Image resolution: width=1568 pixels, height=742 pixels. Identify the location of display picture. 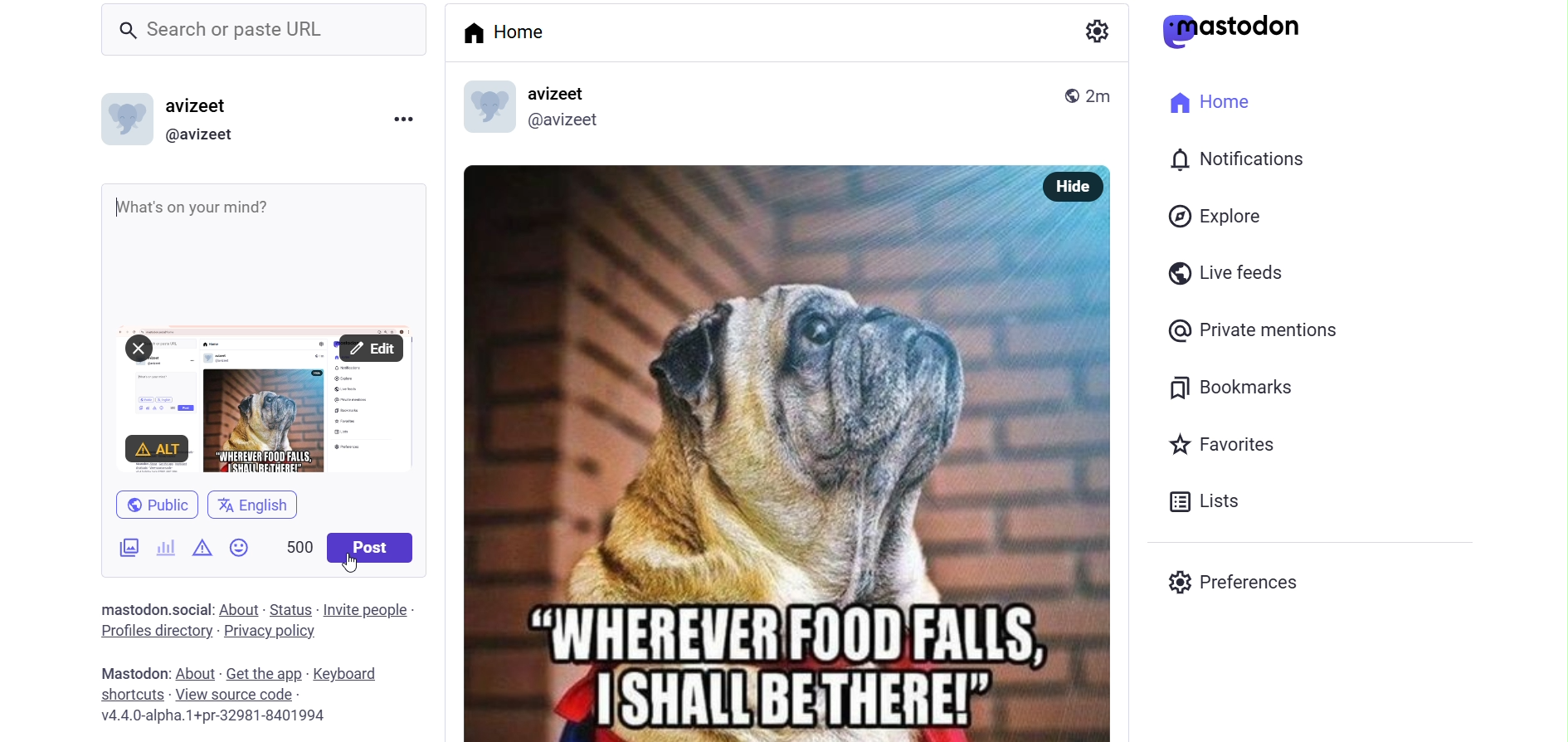
(494, 104).